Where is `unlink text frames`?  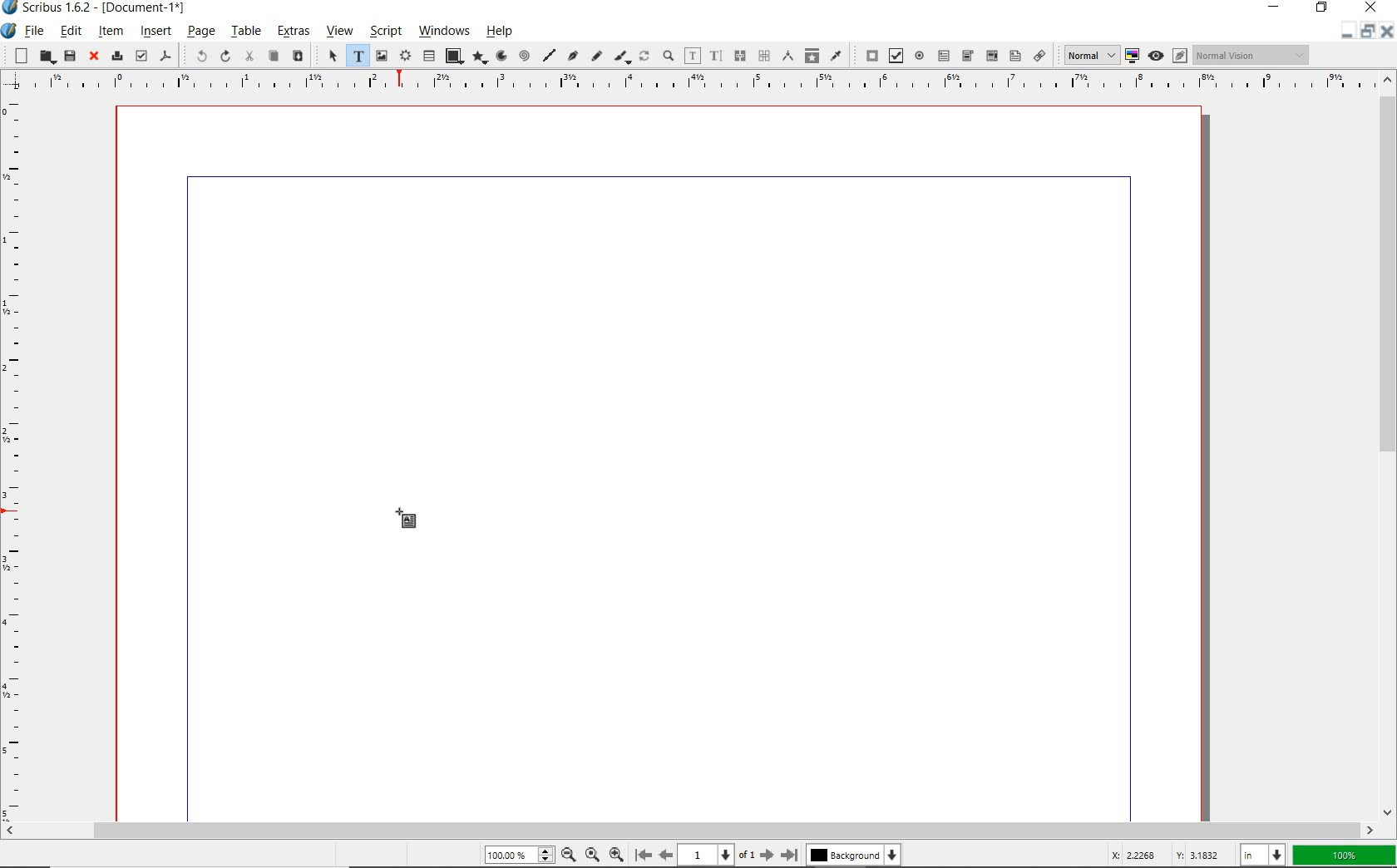 unlink text frames is located at coordinates (763, 57).